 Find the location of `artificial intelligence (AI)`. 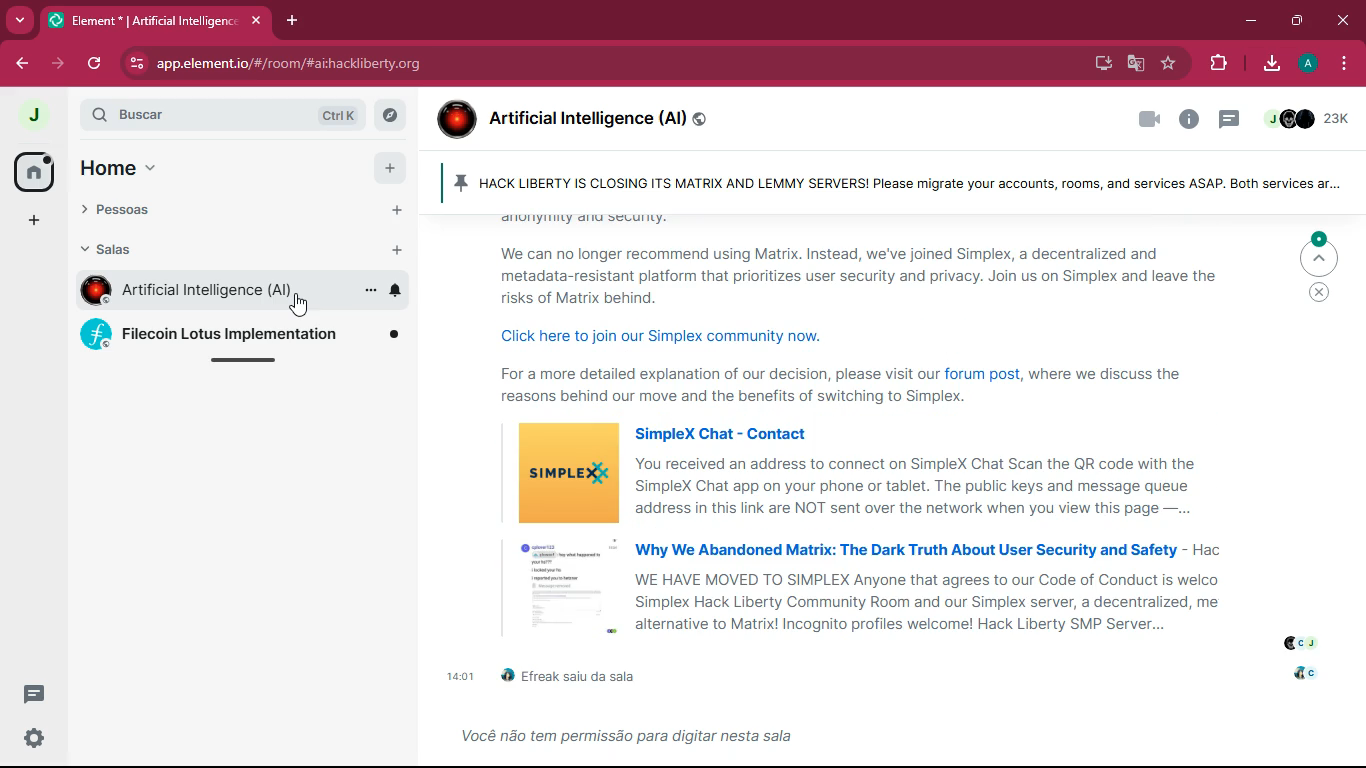

artificial intelligence (AI) is located at coordinates (601, 115).